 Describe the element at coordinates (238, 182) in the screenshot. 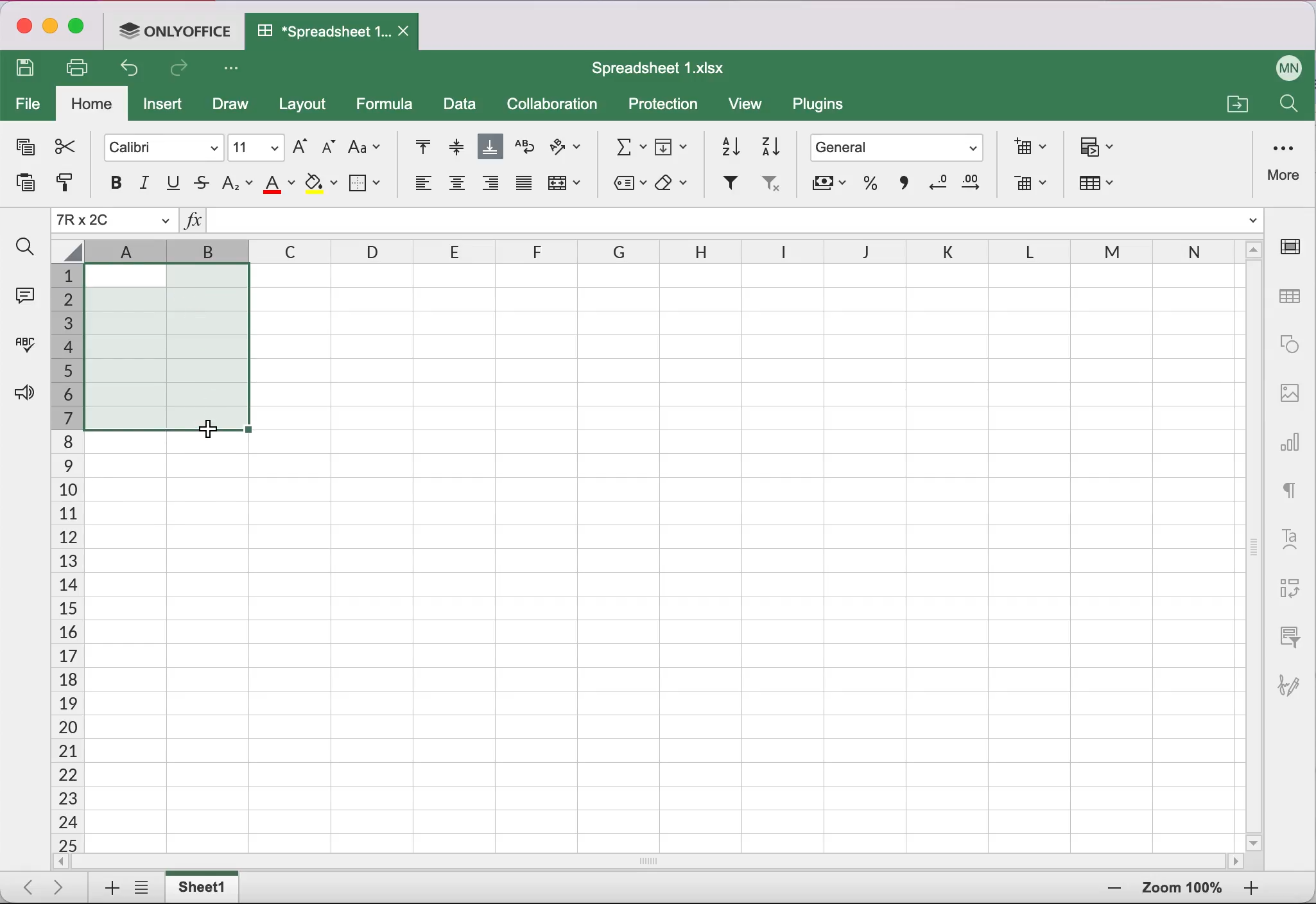

I see `subscript/superscript` at that location.